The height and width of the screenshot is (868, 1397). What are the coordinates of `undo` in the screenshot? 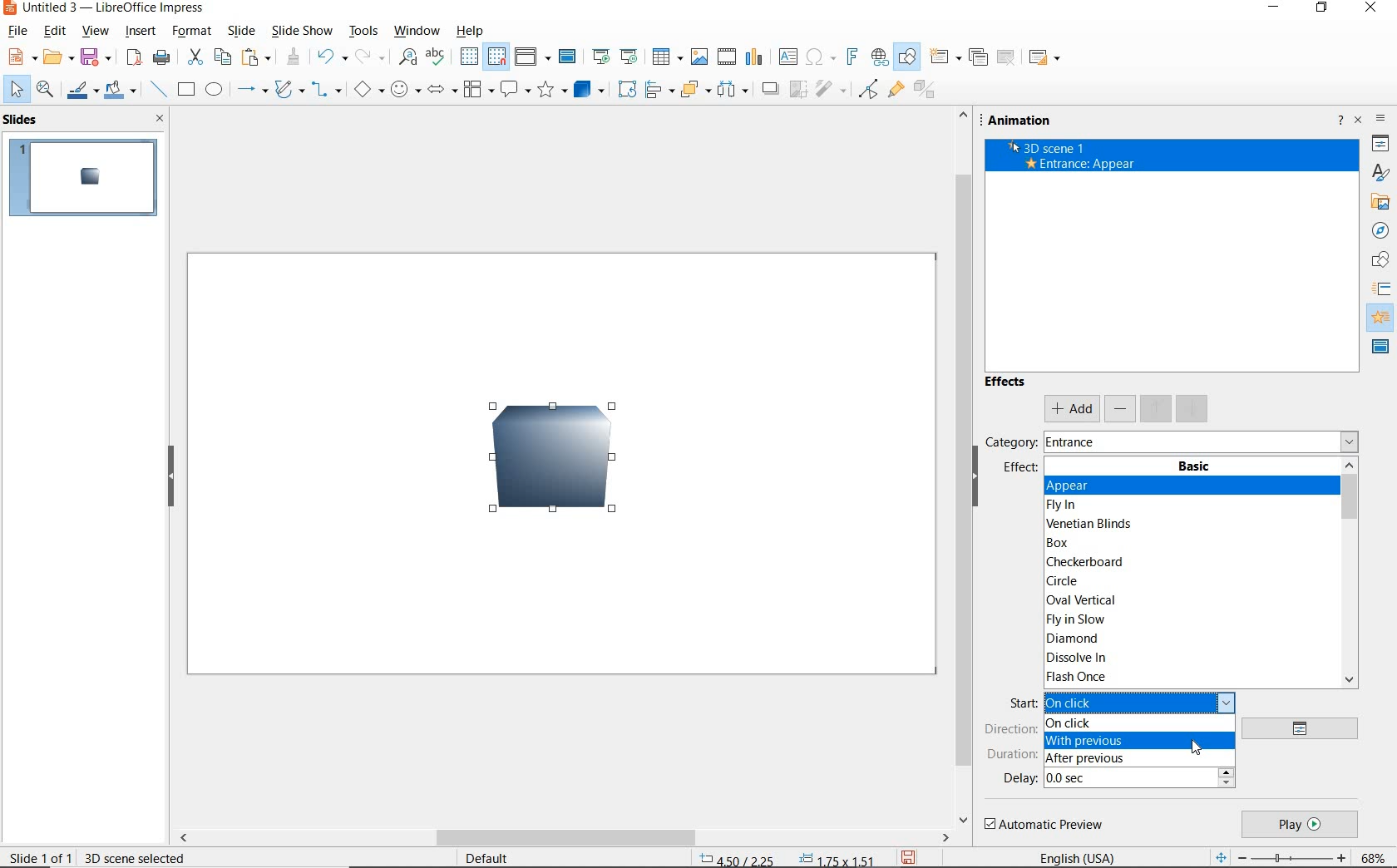 It's located at (330, 57).